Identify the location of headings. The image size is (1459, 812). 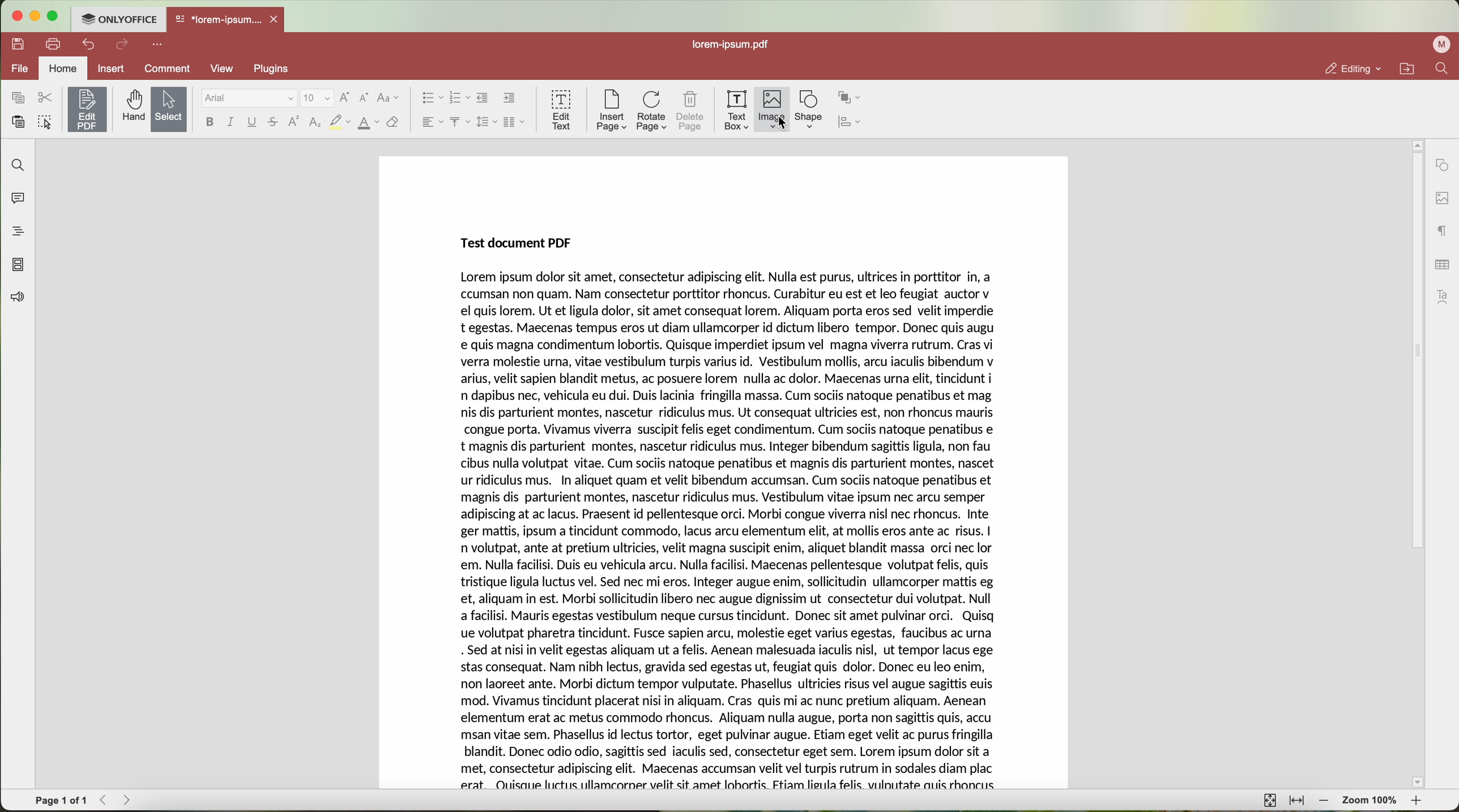
(14, 231).